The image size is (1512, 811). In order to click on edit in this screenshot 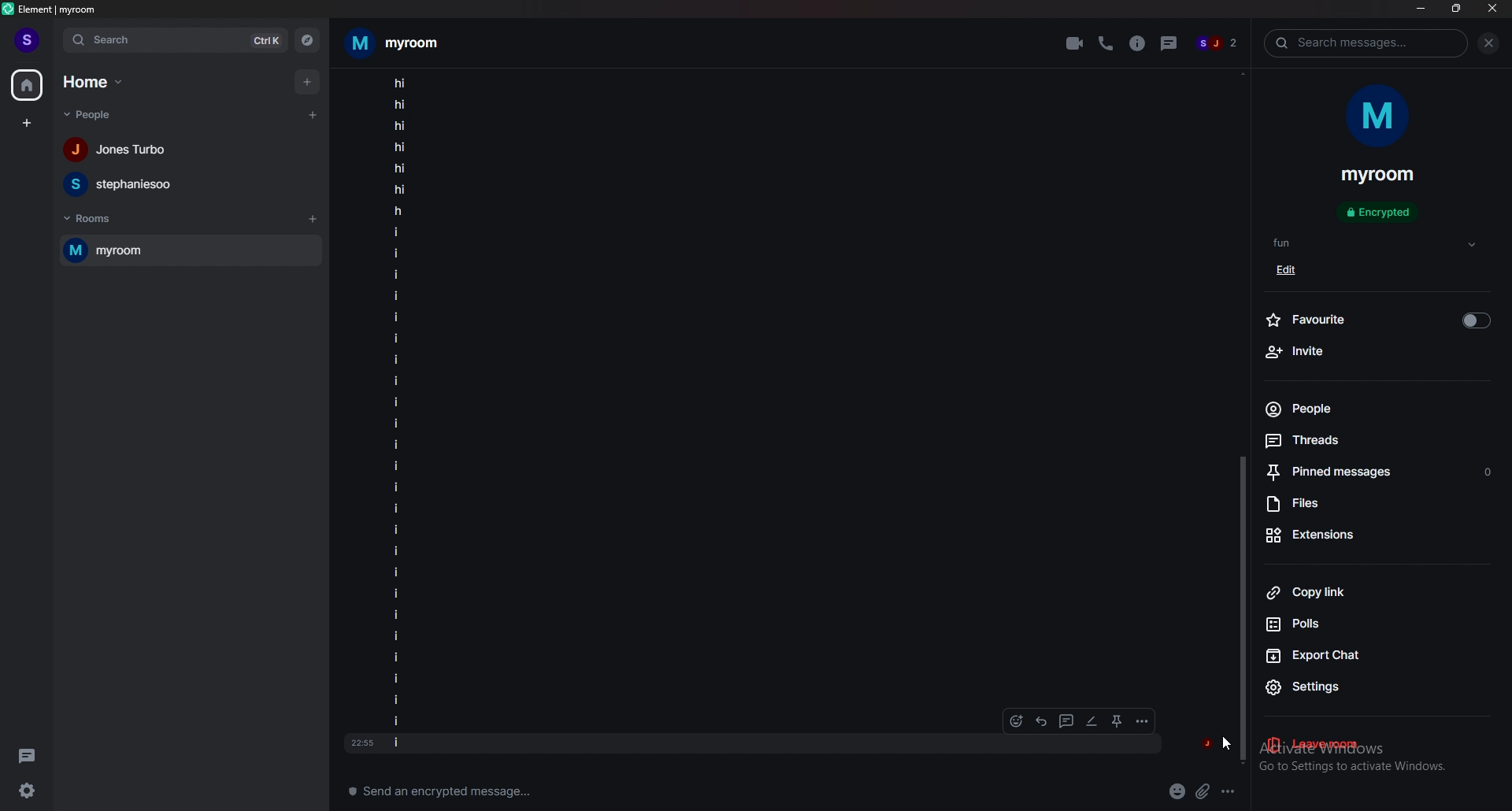, I will do `click(1292, 272)`.